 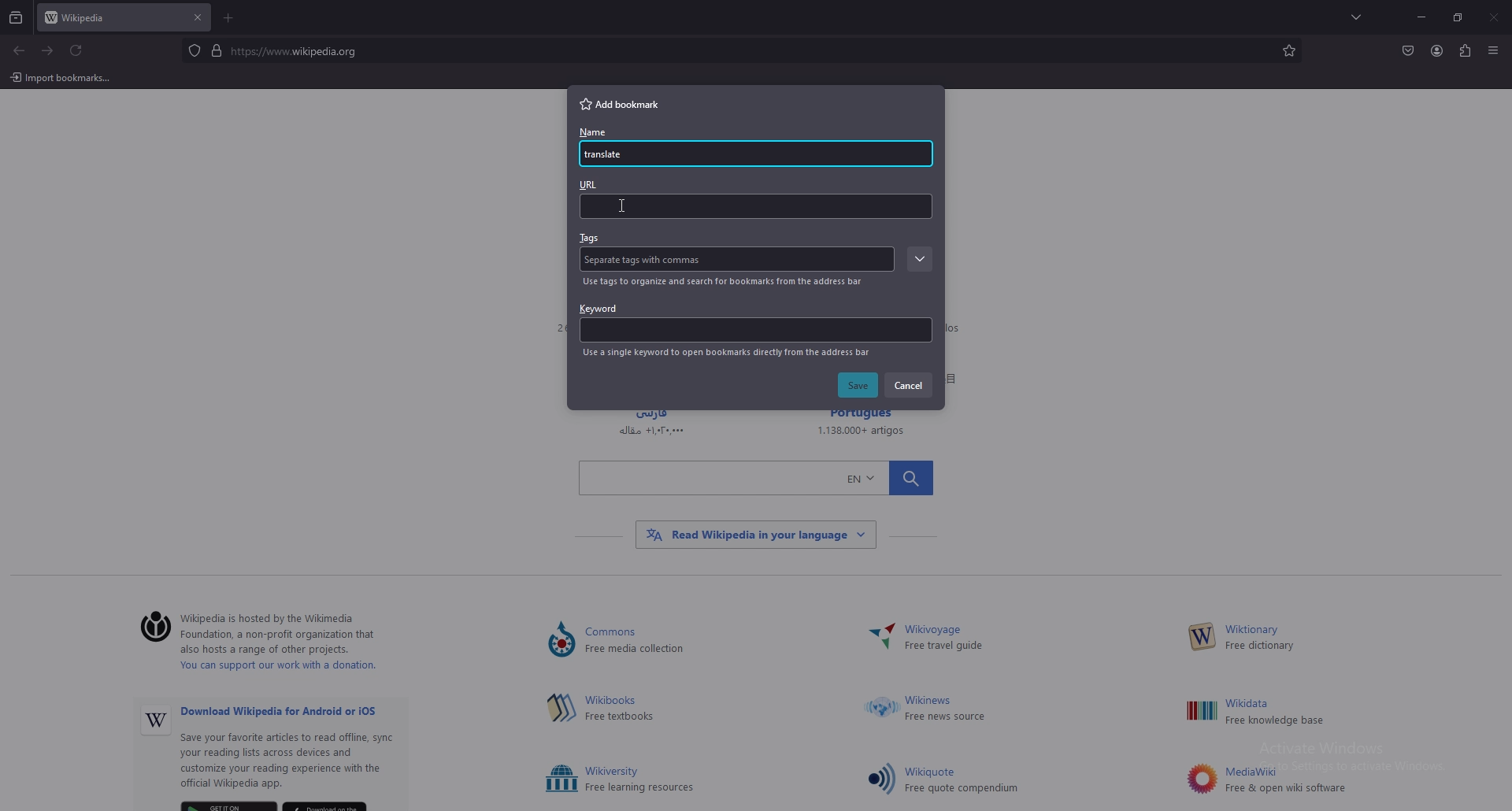 I want to click on name, so click(x=610, y=154).